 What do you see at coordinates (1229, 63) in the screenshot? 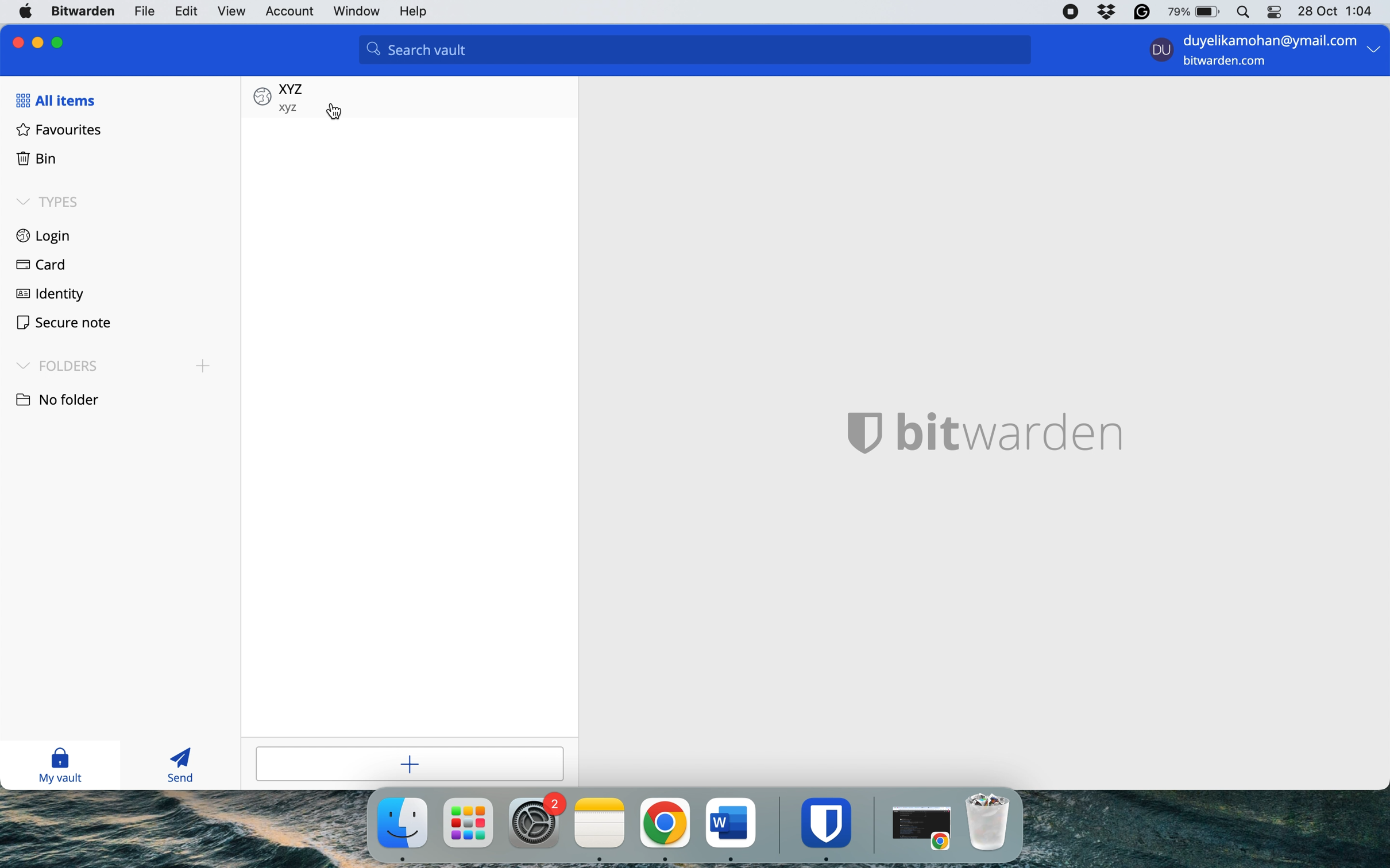
I see `bitwarden.com` at bounding box center [1229, 63].